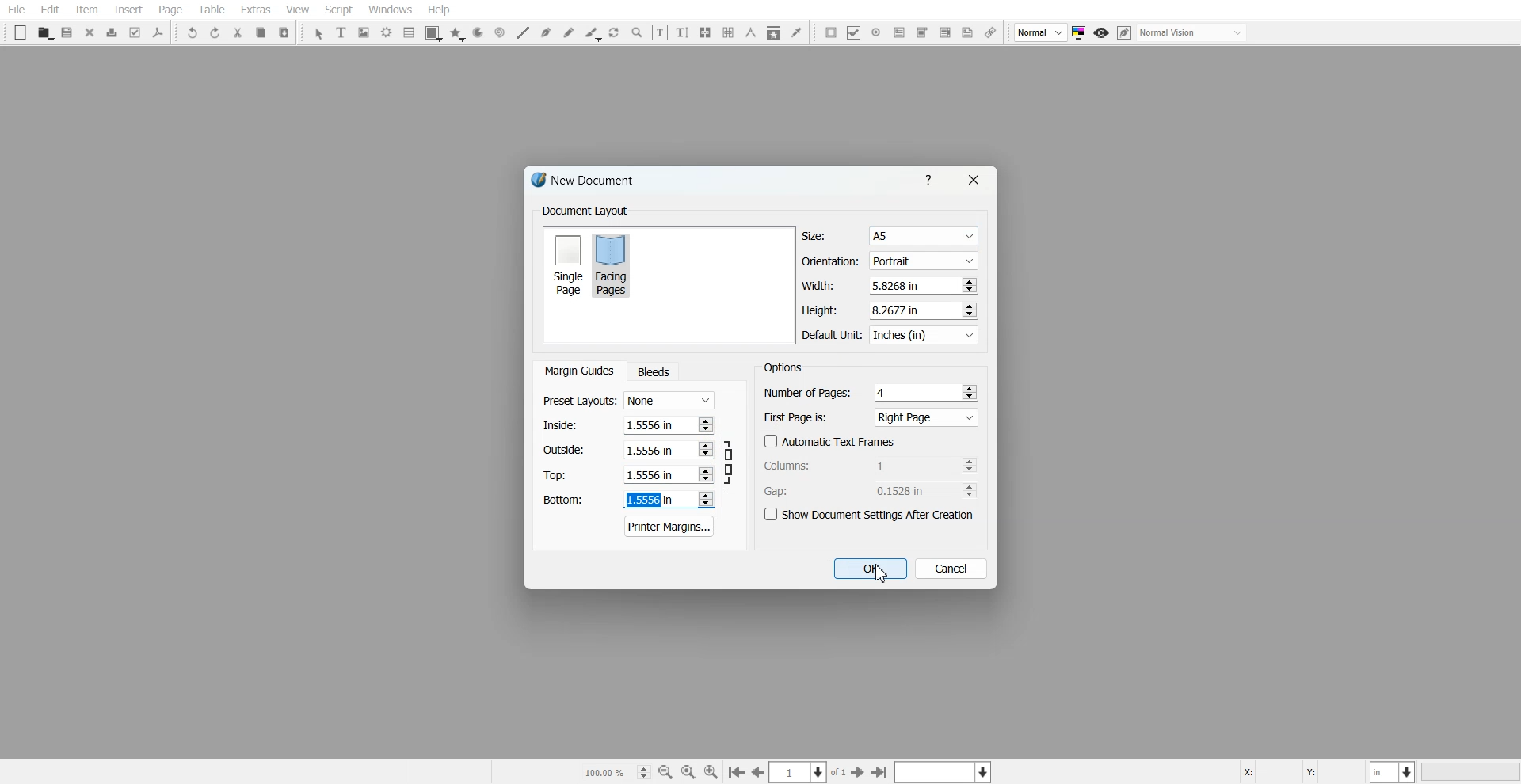  I want to click on Orientation, so click(890, 261).